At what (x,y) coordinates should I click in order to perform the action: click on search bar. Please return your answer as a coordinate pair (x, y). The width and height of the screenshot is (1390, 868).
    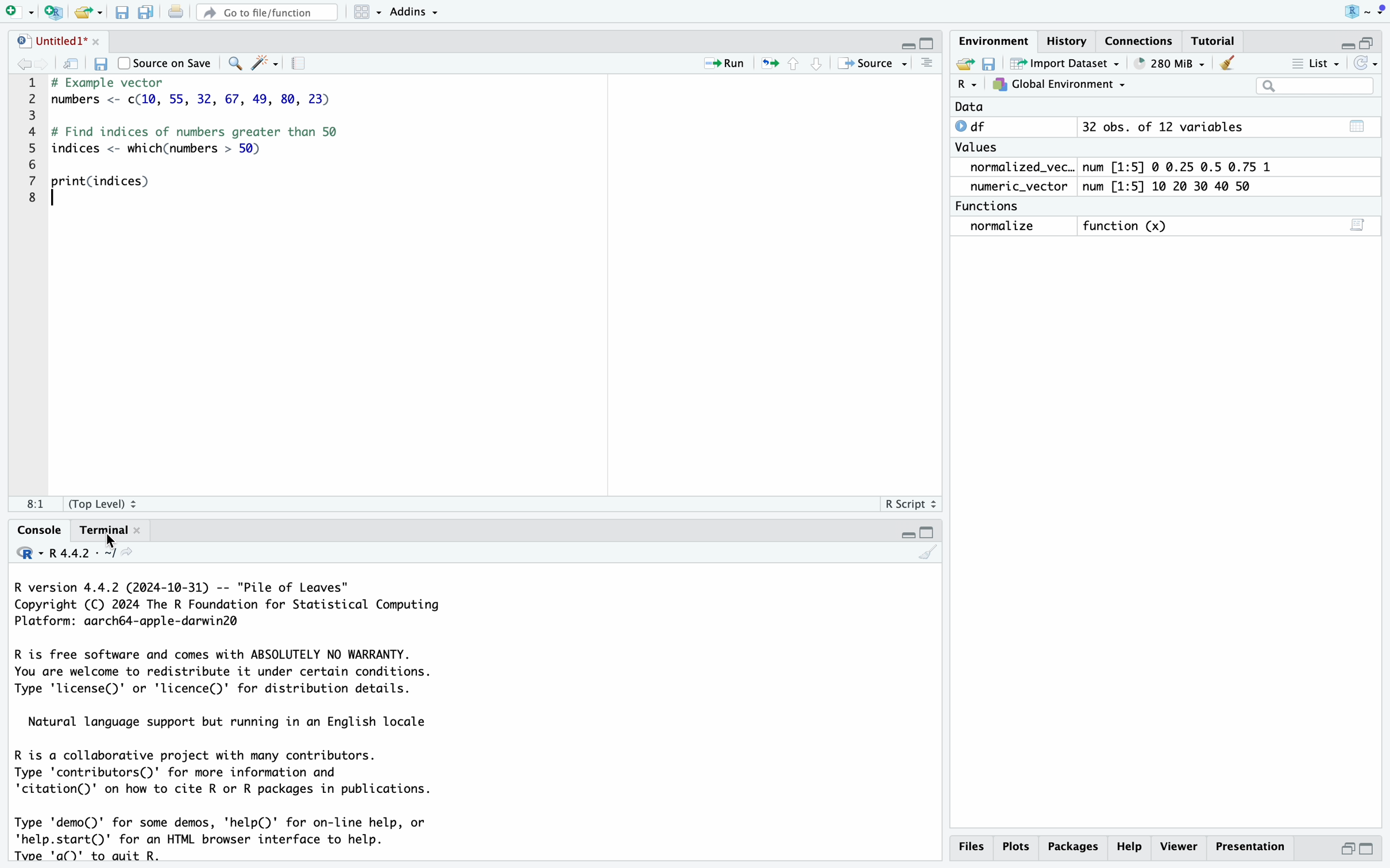
    Looking at the image, I should click on (1311, 85).